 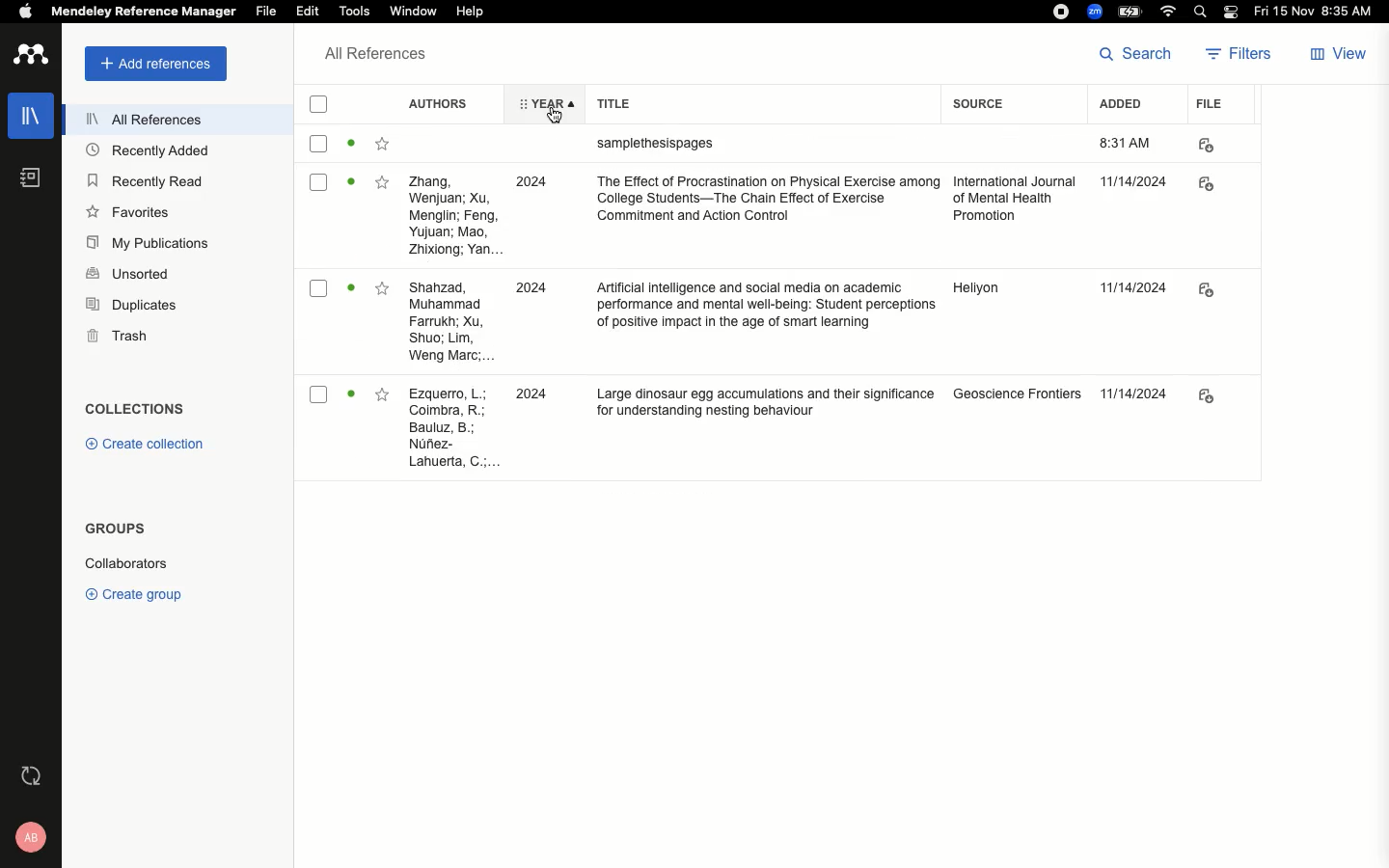 What do you see at coordinates (449, 427) in the screenshot?
I see `author name` at bounding box center [449, 427].